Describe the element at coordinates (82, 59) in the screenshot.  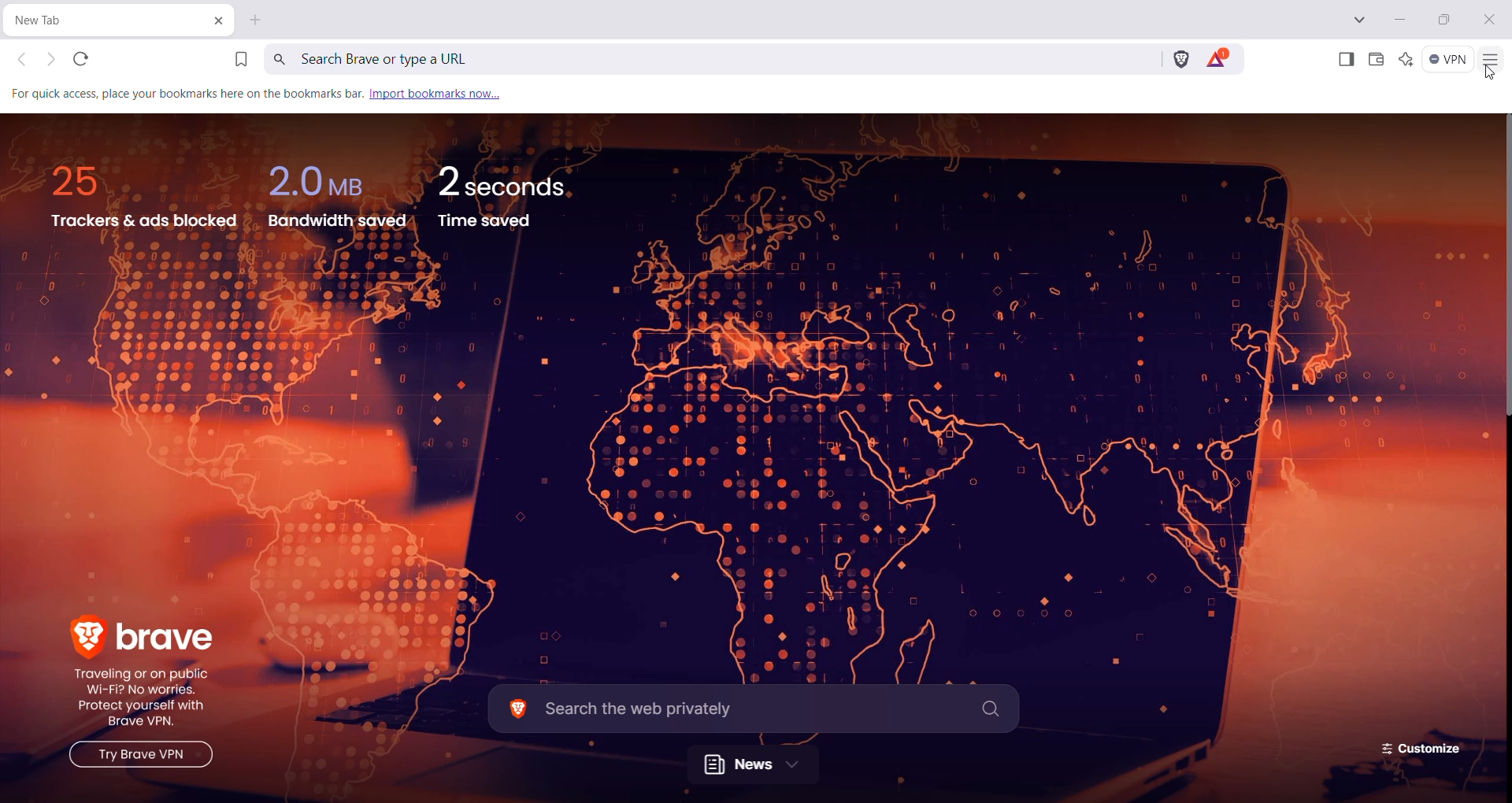
I see `Reload Webpage` at that location.